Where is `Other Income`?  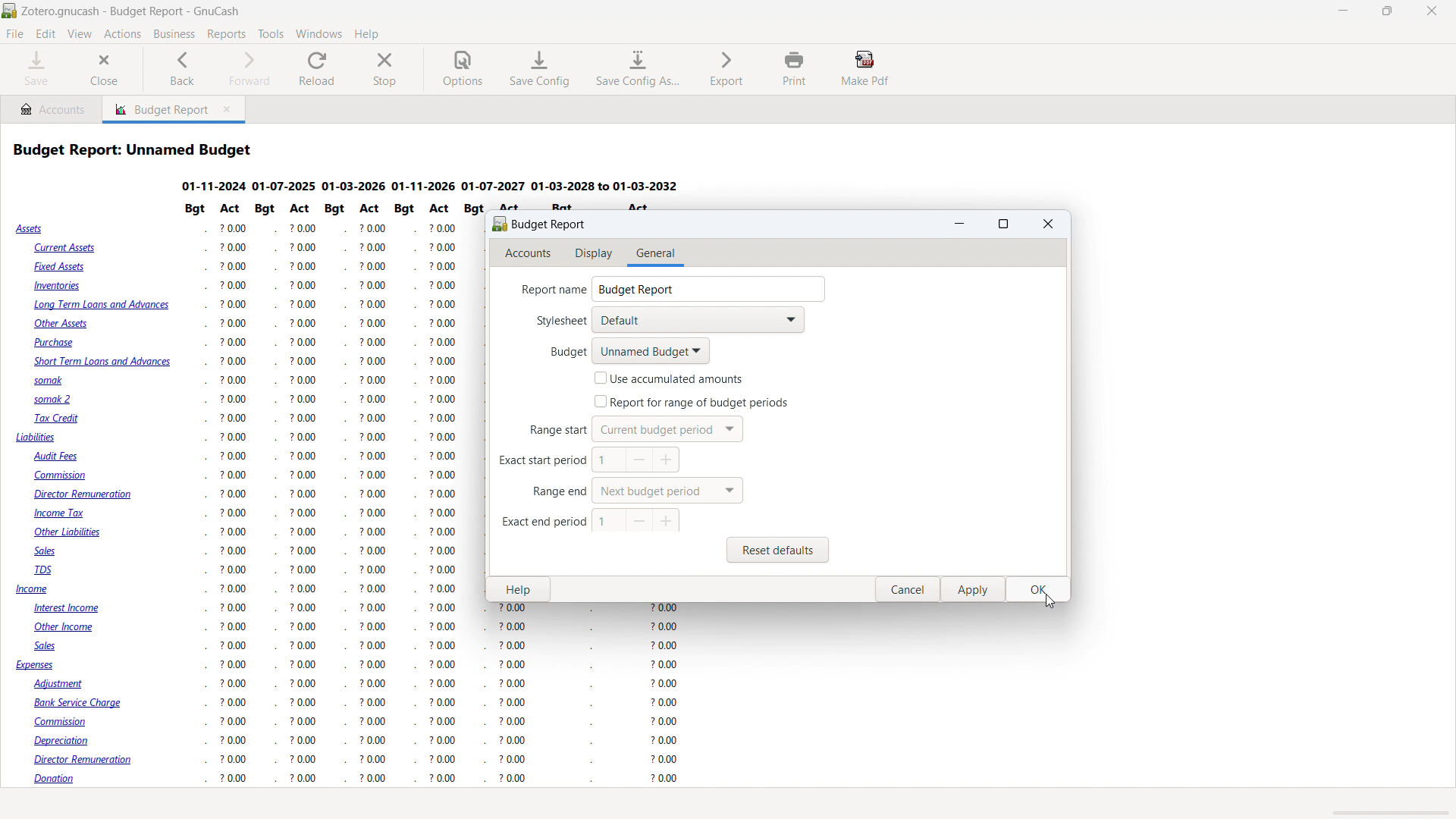
Other Income is located at coordinates (68, 629).